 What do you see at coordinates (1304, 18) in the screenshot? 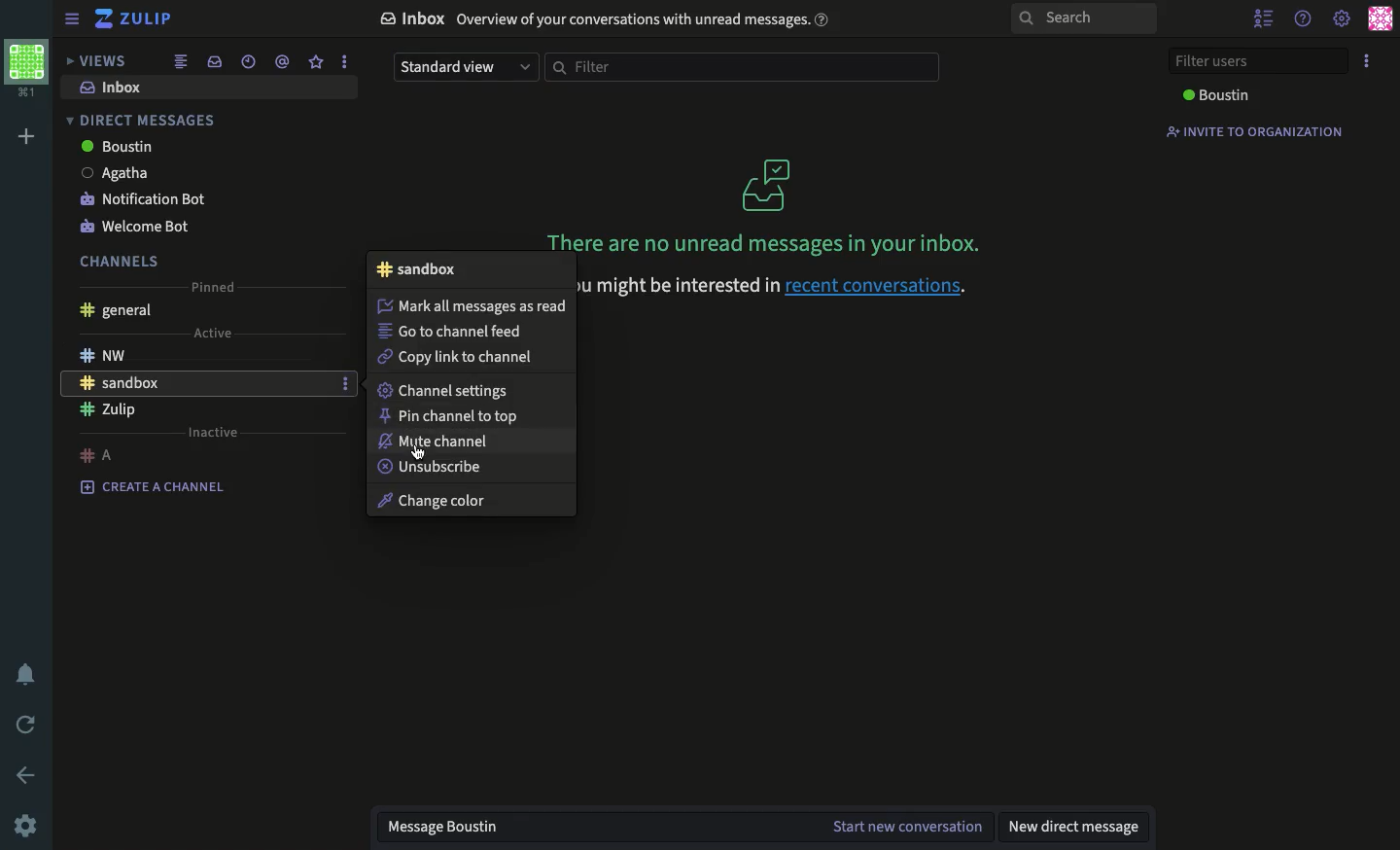
I see `help` at bounding box center [1304, 18].